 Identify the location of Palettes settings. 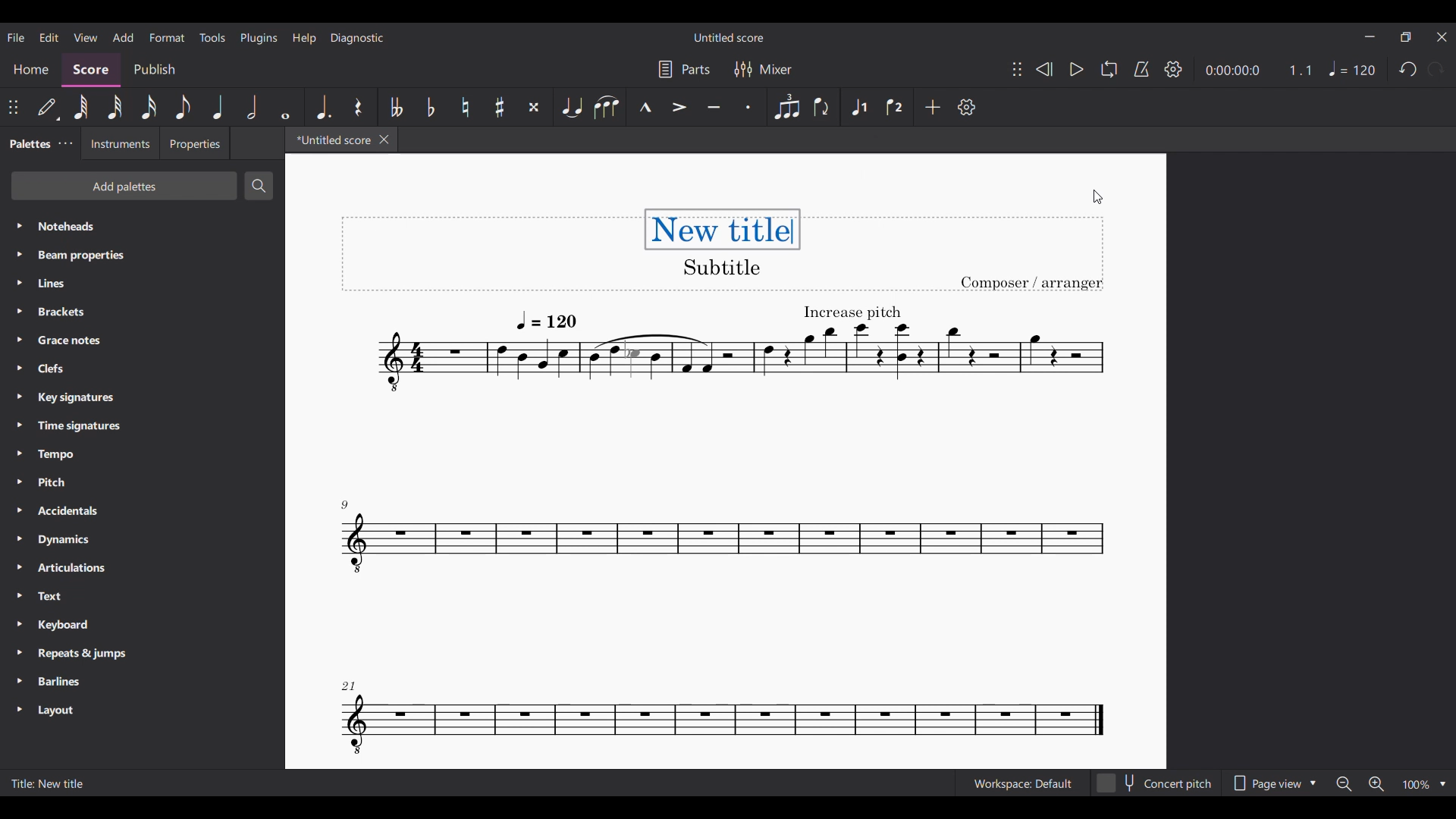
(66, 143).